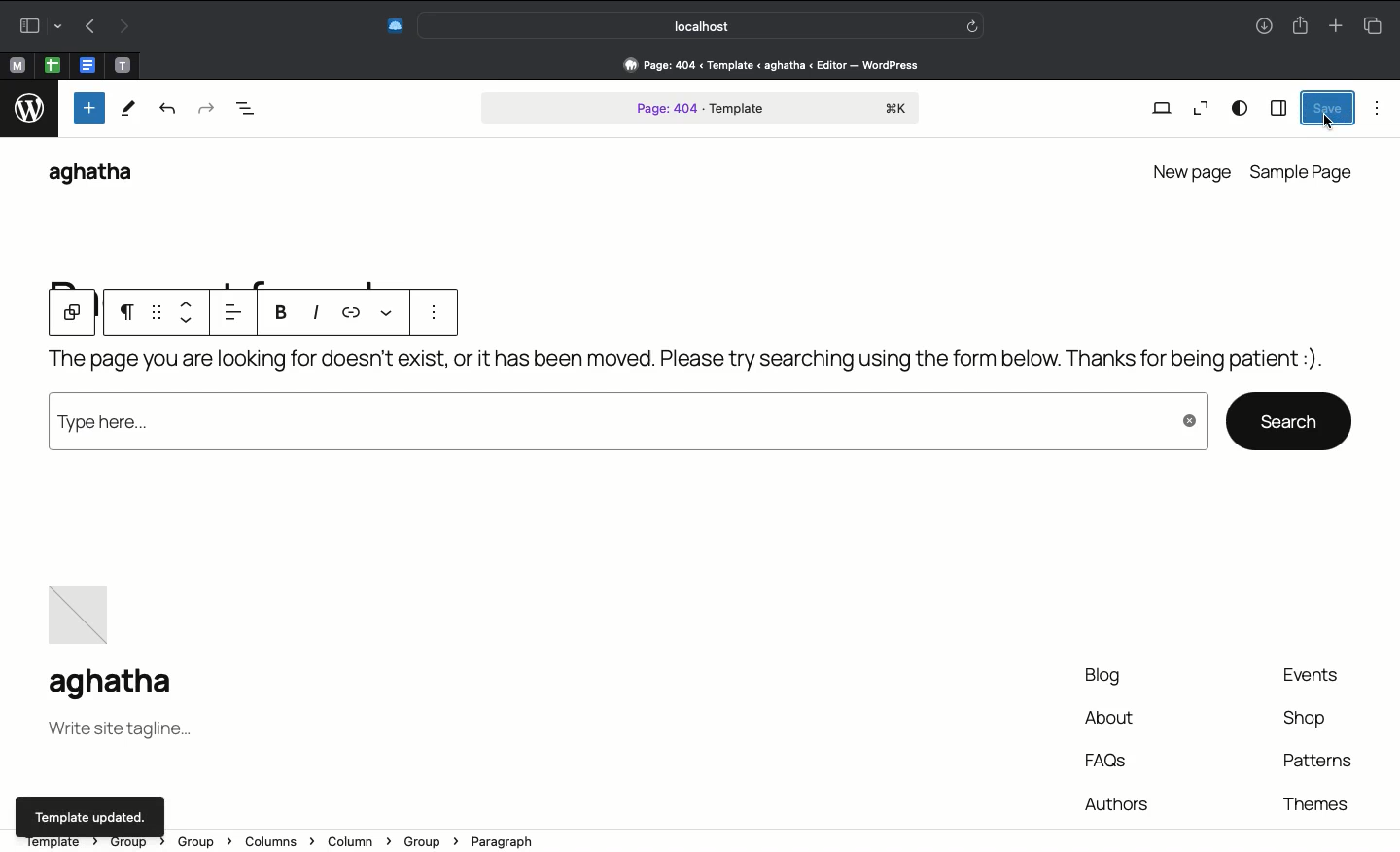 This screenshot has width=1400, height=852. What do you see at coordinates (1391, 333) in the screenshot?
I see `Scroll` at bounding box center [1391, 333].